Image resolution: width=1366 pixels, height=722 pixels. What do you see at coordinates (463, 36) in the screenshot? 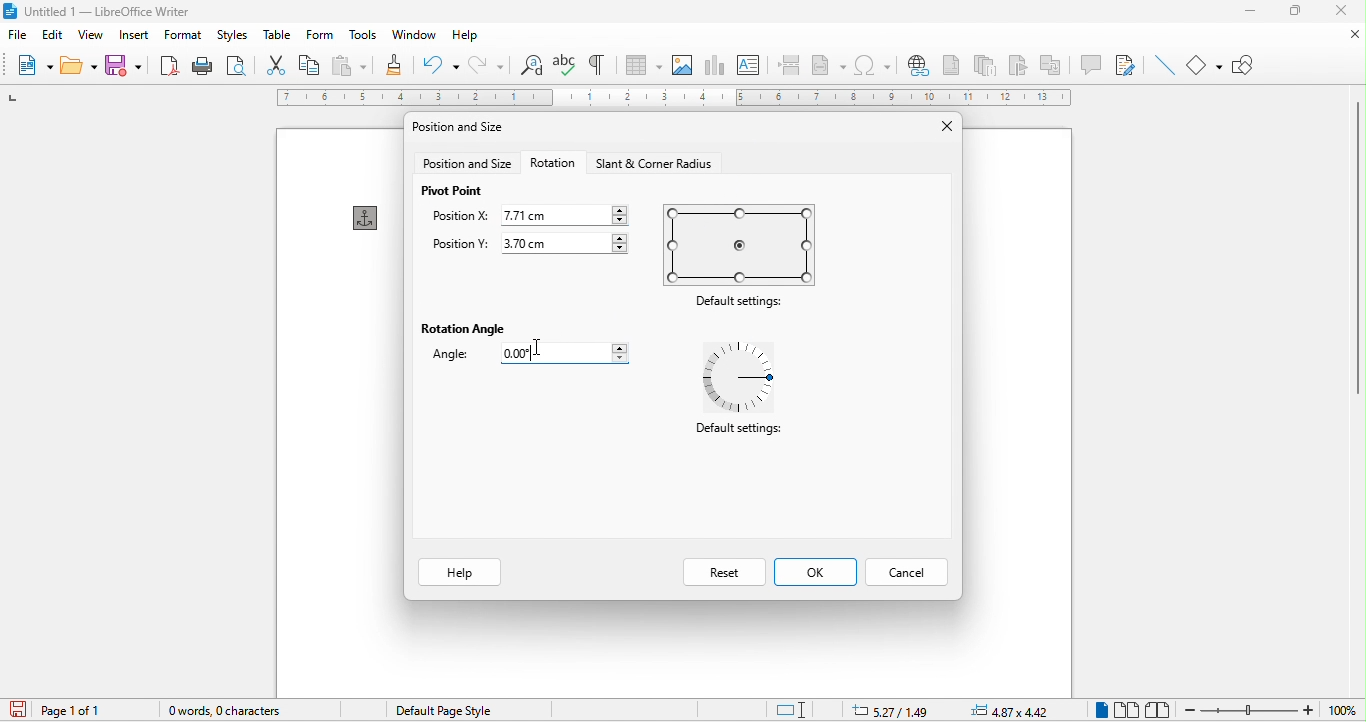
I see `help` at bounding box center [463, 36].